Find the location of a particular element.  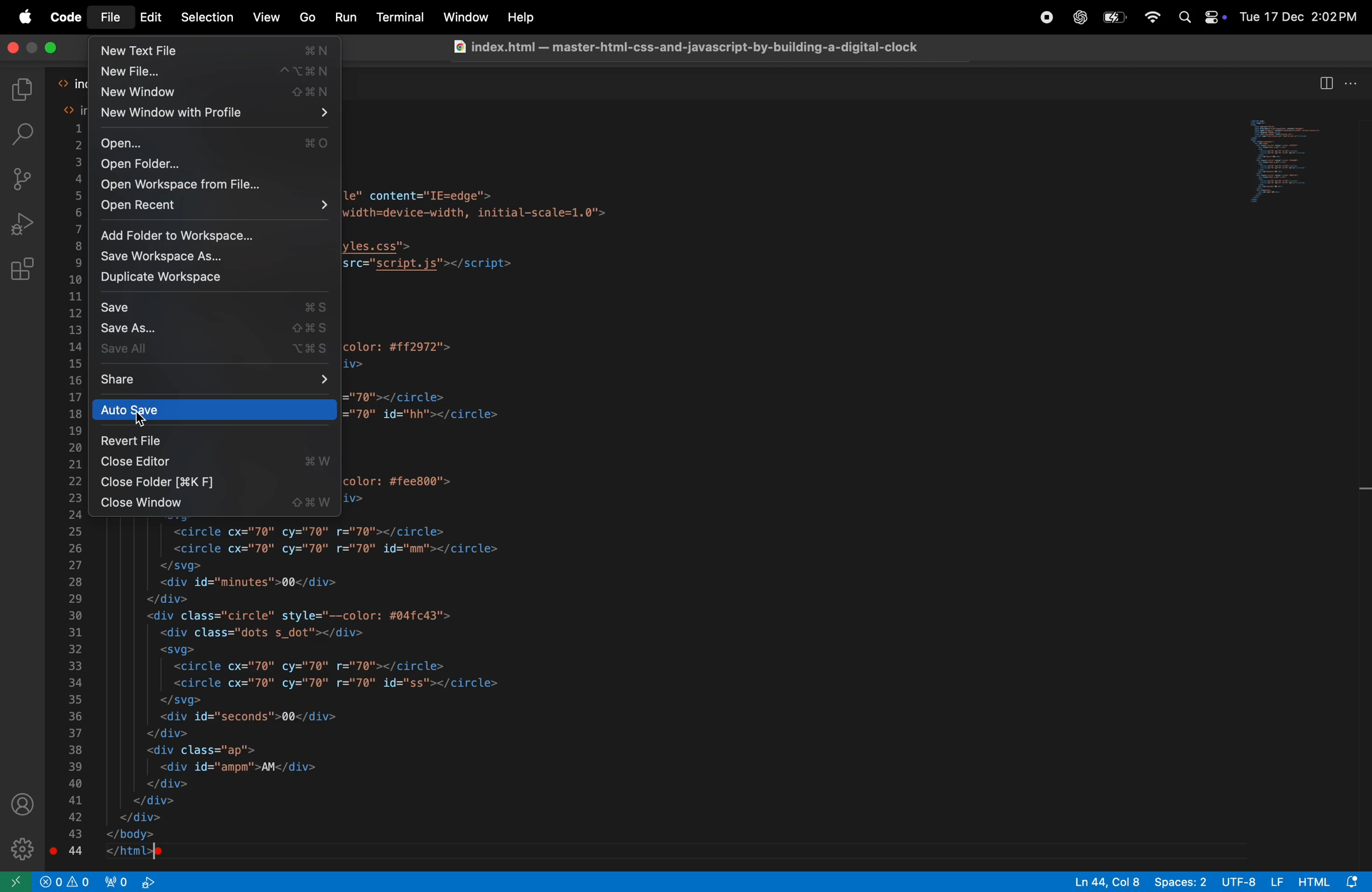

close is located at coordinates (13, 48).